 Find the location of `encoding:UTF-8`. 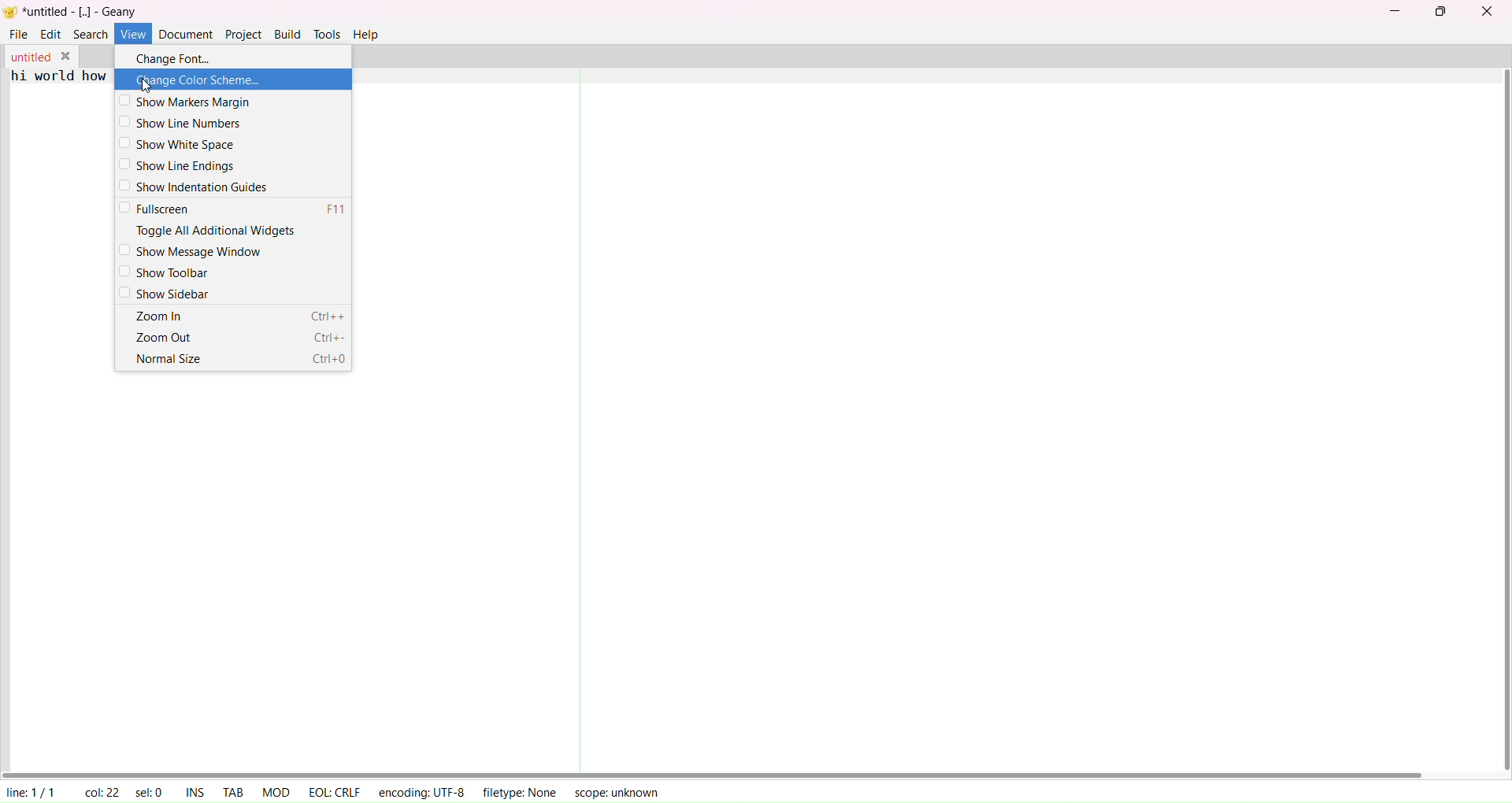

encoding:UTF-8 is located at coordinates (425, 790).